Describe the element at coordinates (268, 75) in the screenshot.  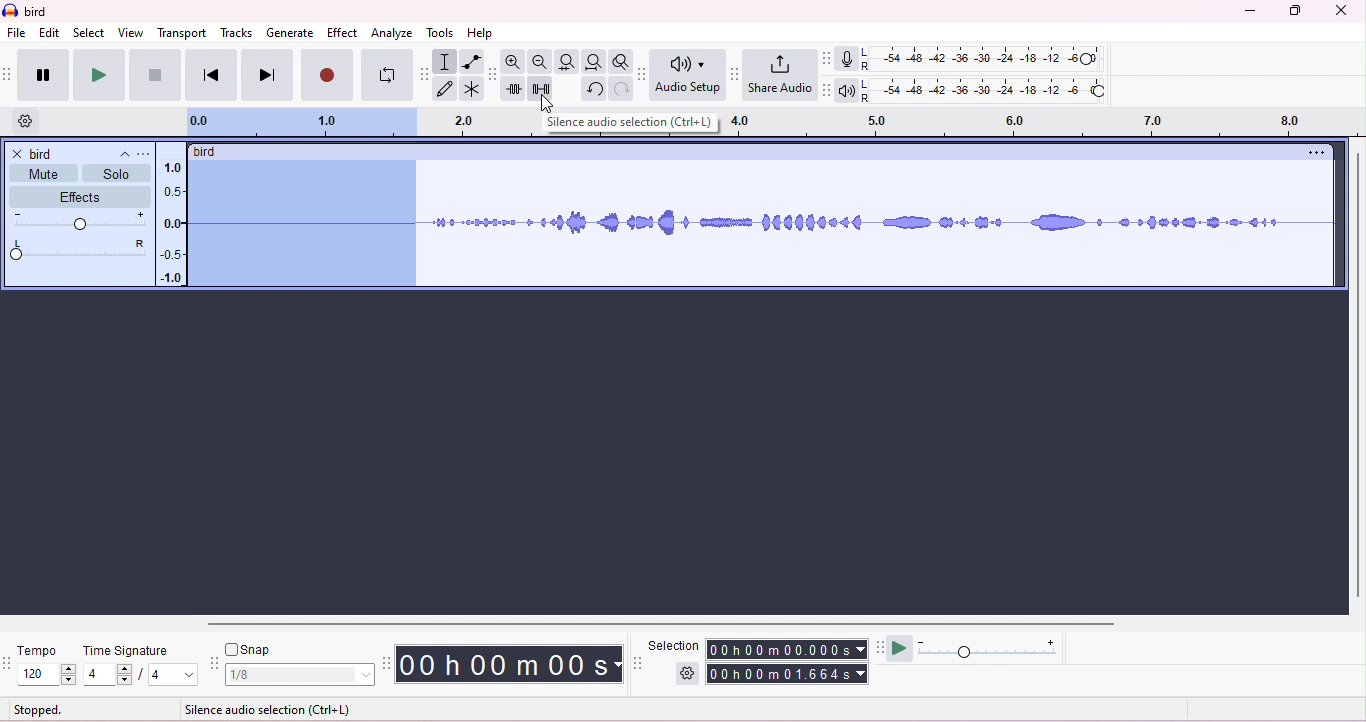
I see `next` at that location.